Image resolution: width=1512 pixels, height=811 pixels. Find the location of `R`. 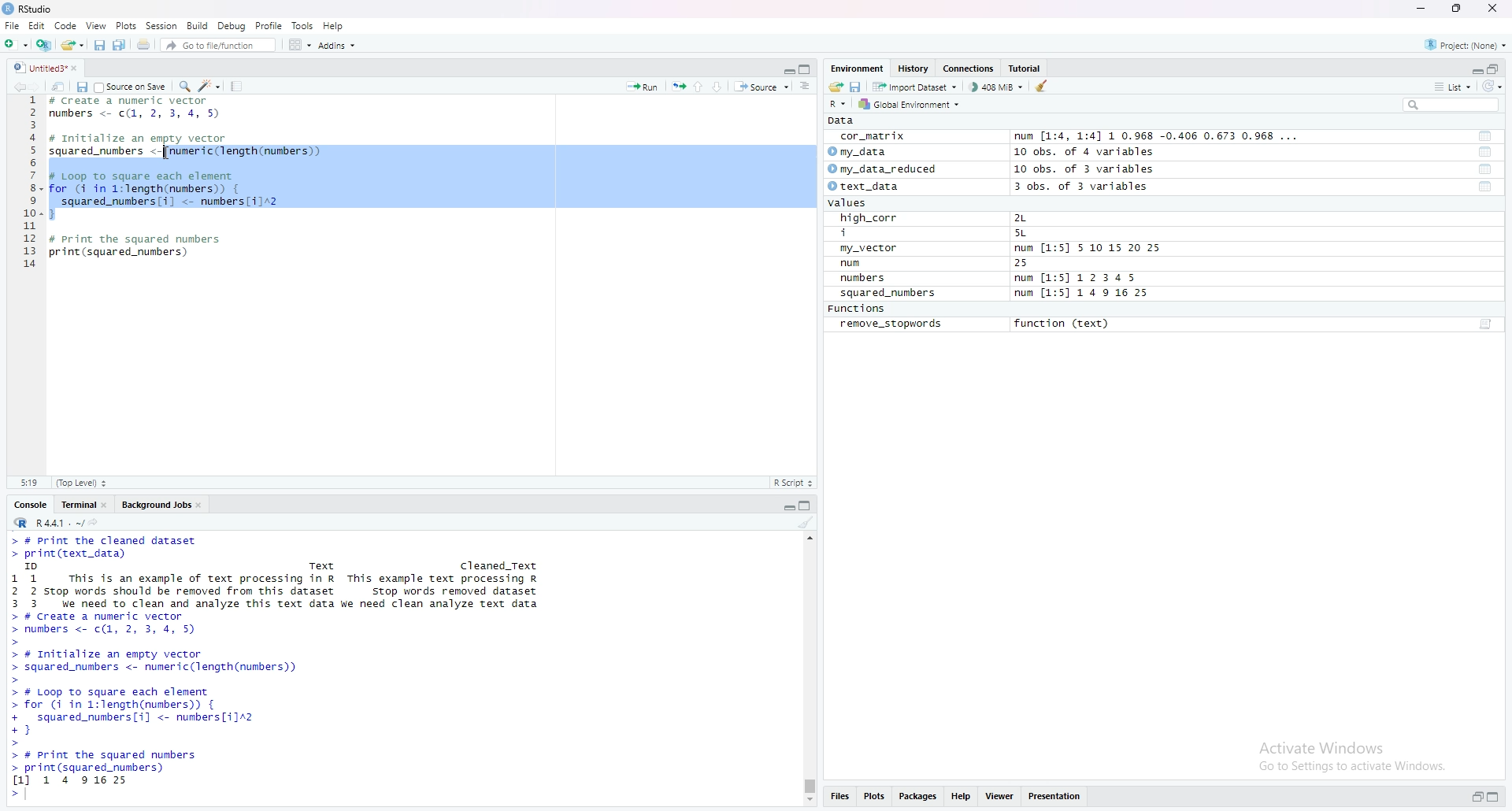

R is located at coordinates (839, 103).